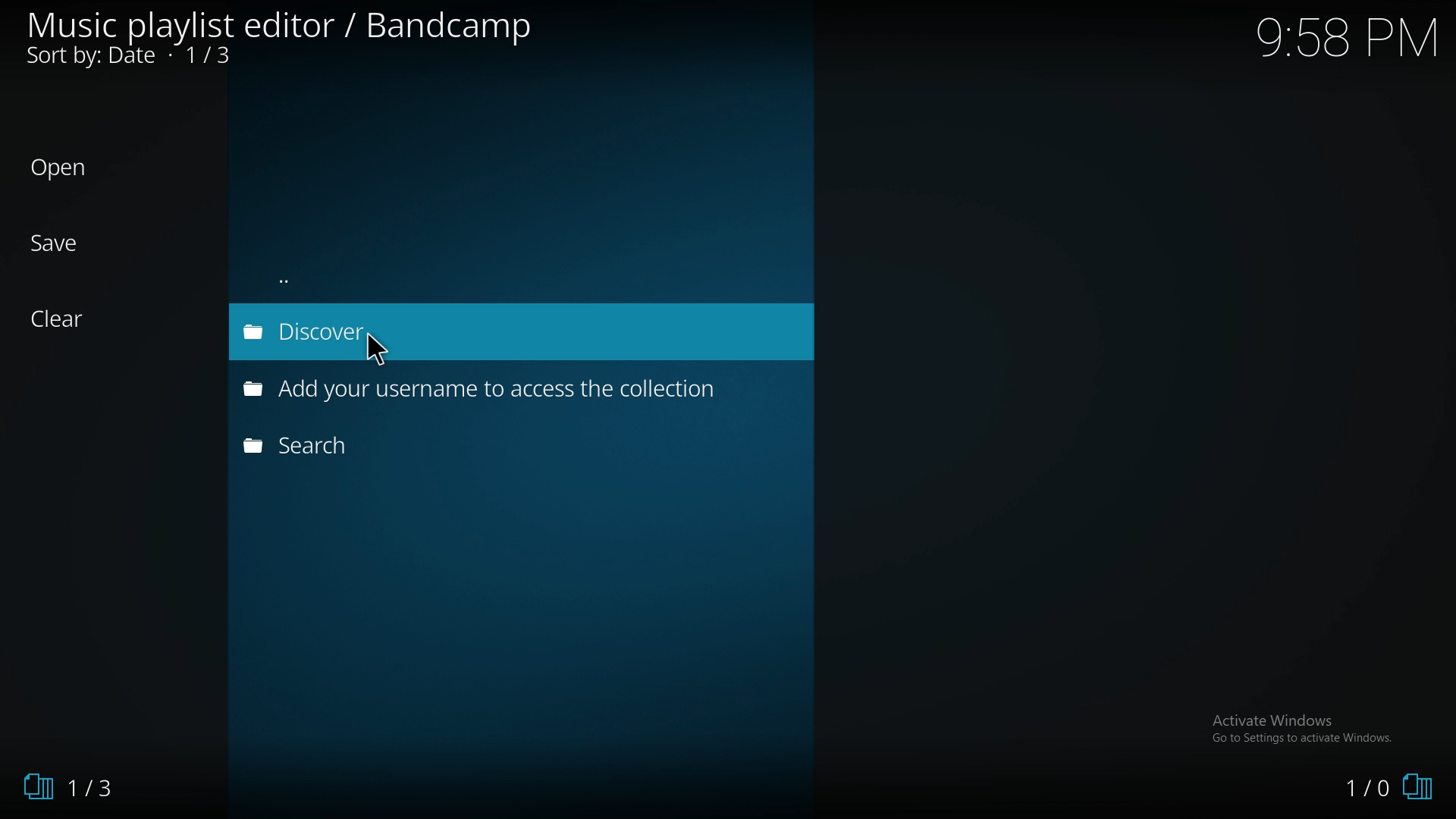 This screenshot has width=1456, height=819. I want to click on add your username to access the collection, so click(494, 388).